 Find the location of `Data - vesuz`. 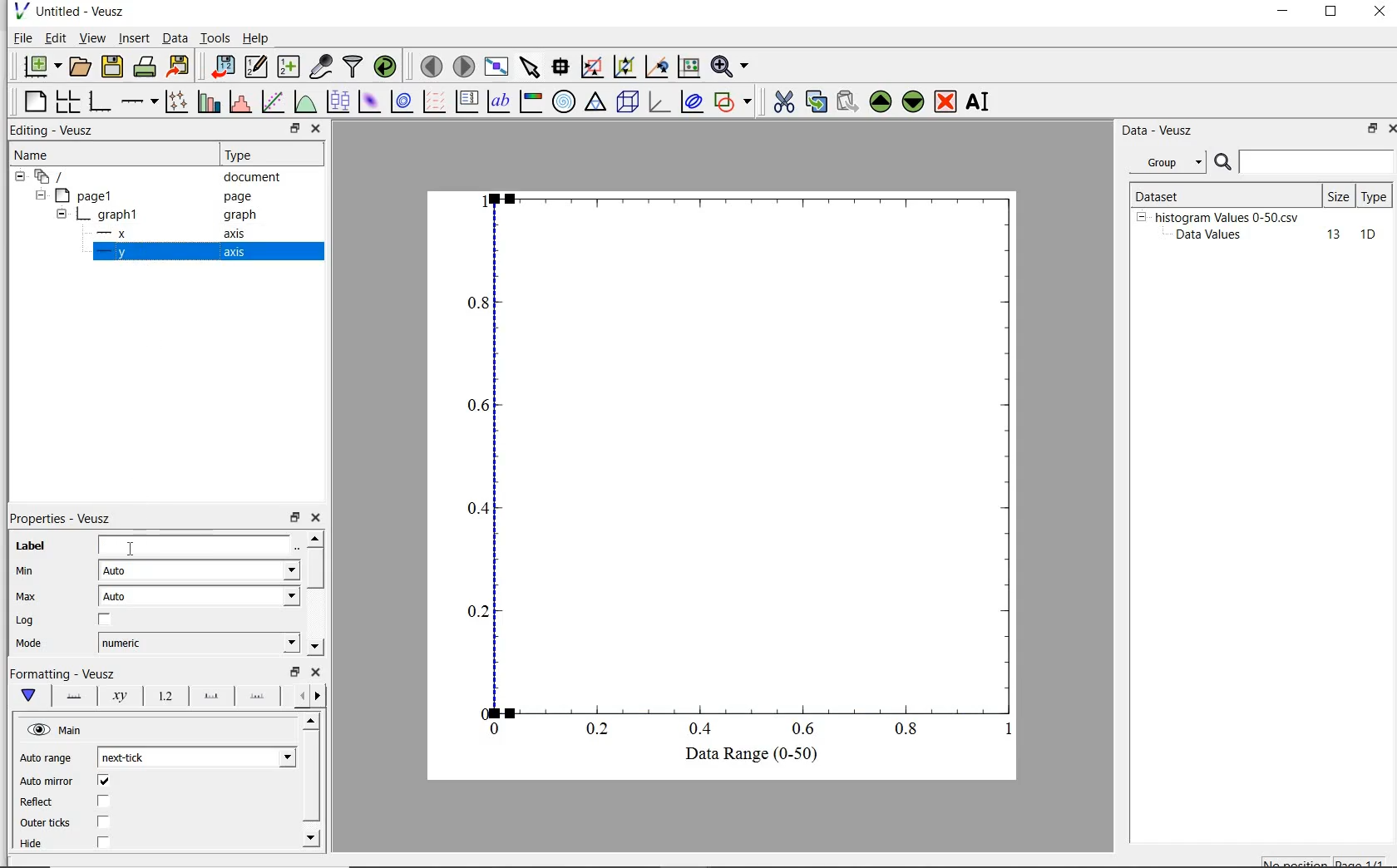

Data - vesuz is located at coordinates (1160, 131).